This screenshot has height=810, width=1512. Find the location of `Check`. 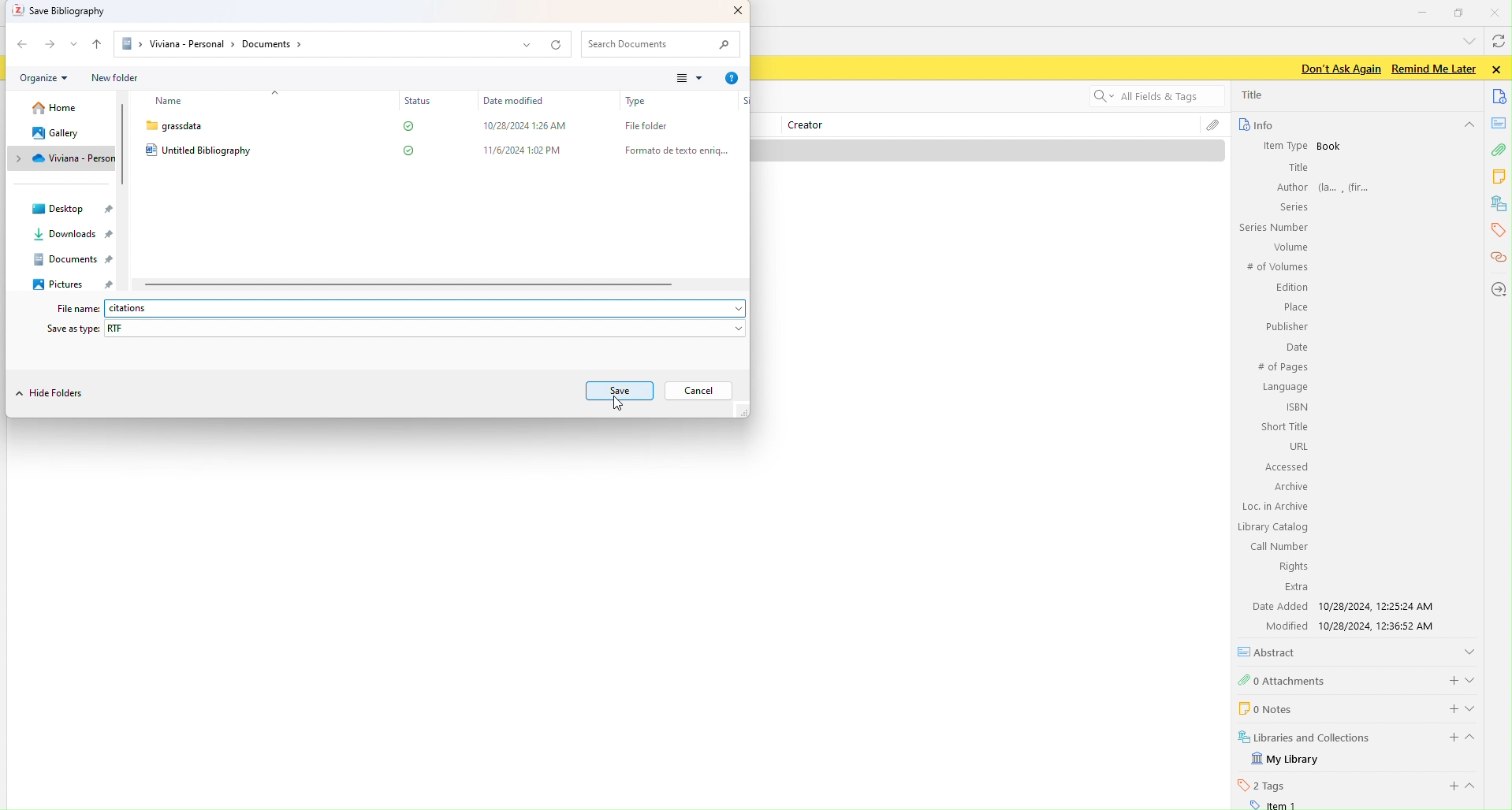

Check is located at coordinates (407, 150).